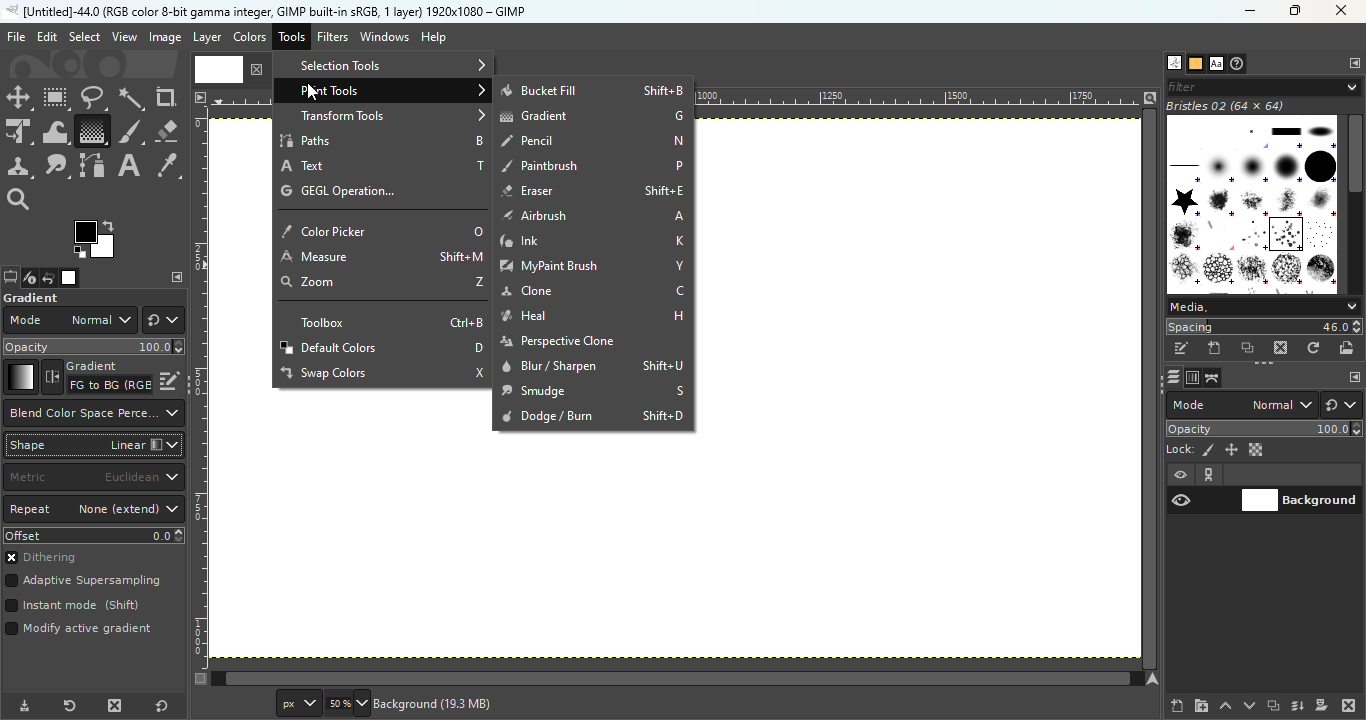  Describe the element at coordinates (206, 38) in the screenshot. I see `Layer` at that location.